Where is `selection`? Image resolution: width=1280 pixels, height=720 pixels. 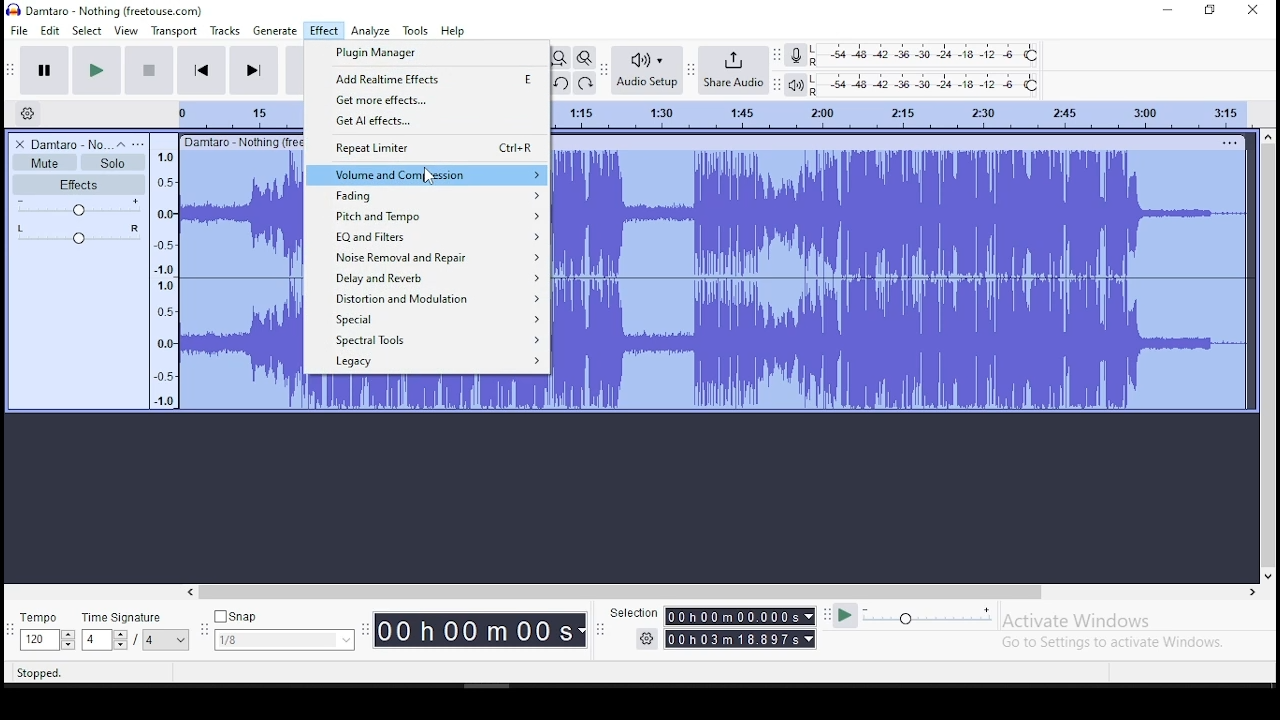
selection is located at coordinates (631, 610).